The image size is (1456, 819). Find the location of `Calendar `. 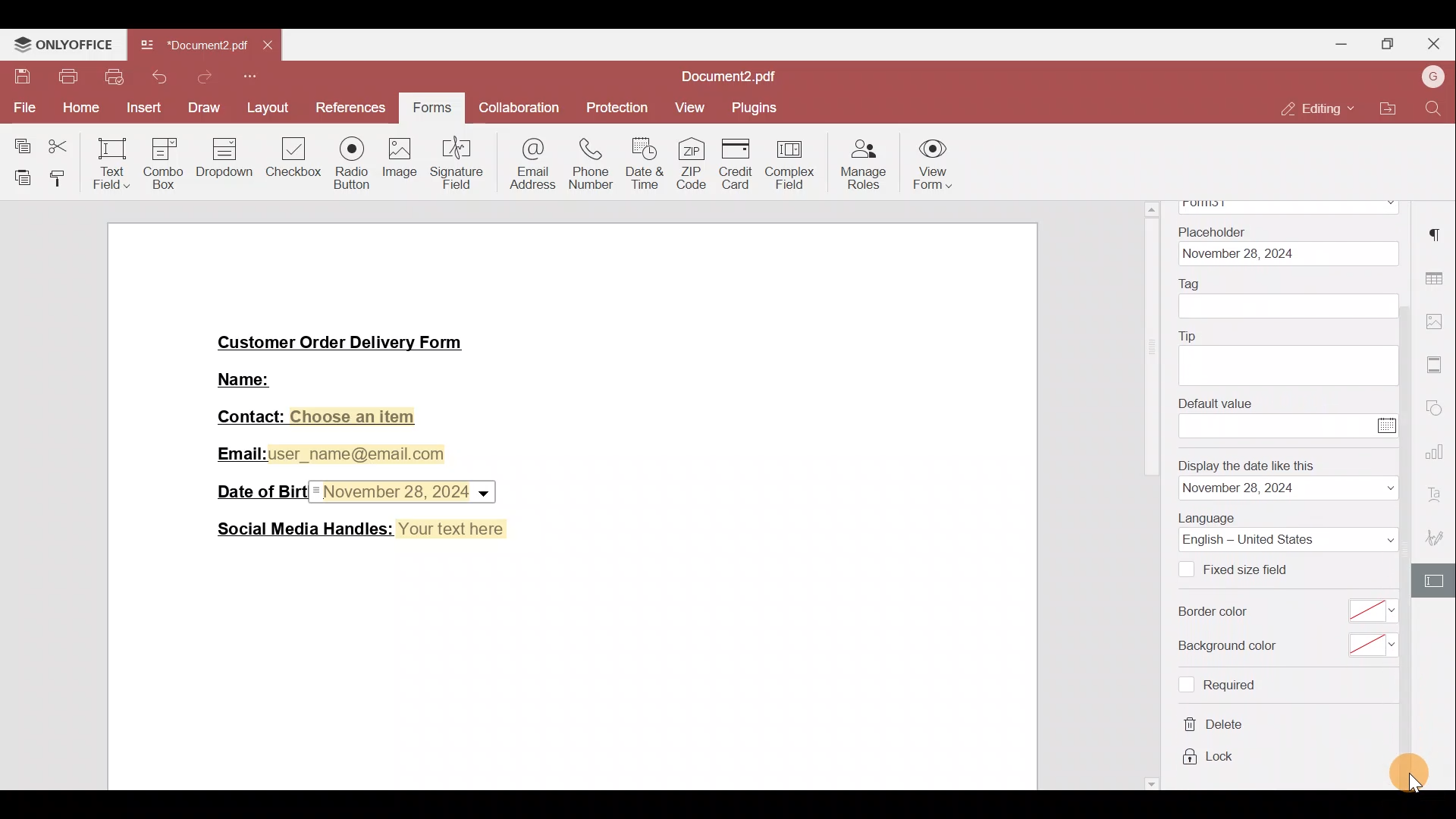

Calendar  is located at coordinates (1387, 425).